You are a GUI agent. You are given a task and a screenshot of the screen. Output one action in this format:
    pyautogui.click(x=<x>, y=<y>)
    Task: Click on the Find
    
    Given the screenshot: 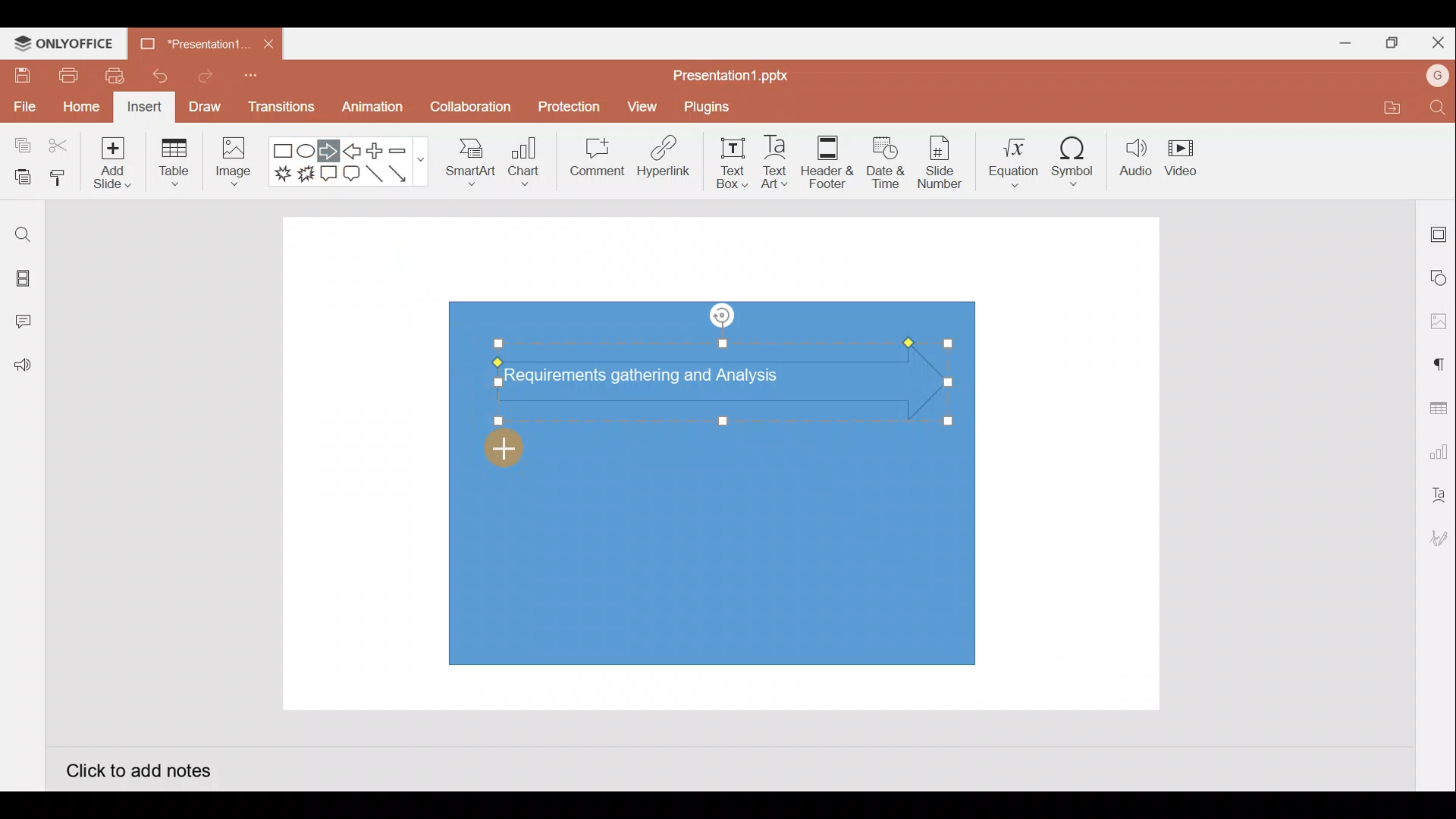 What is the action you would take?
    pyautogui.click(x=1439, y=107)
    